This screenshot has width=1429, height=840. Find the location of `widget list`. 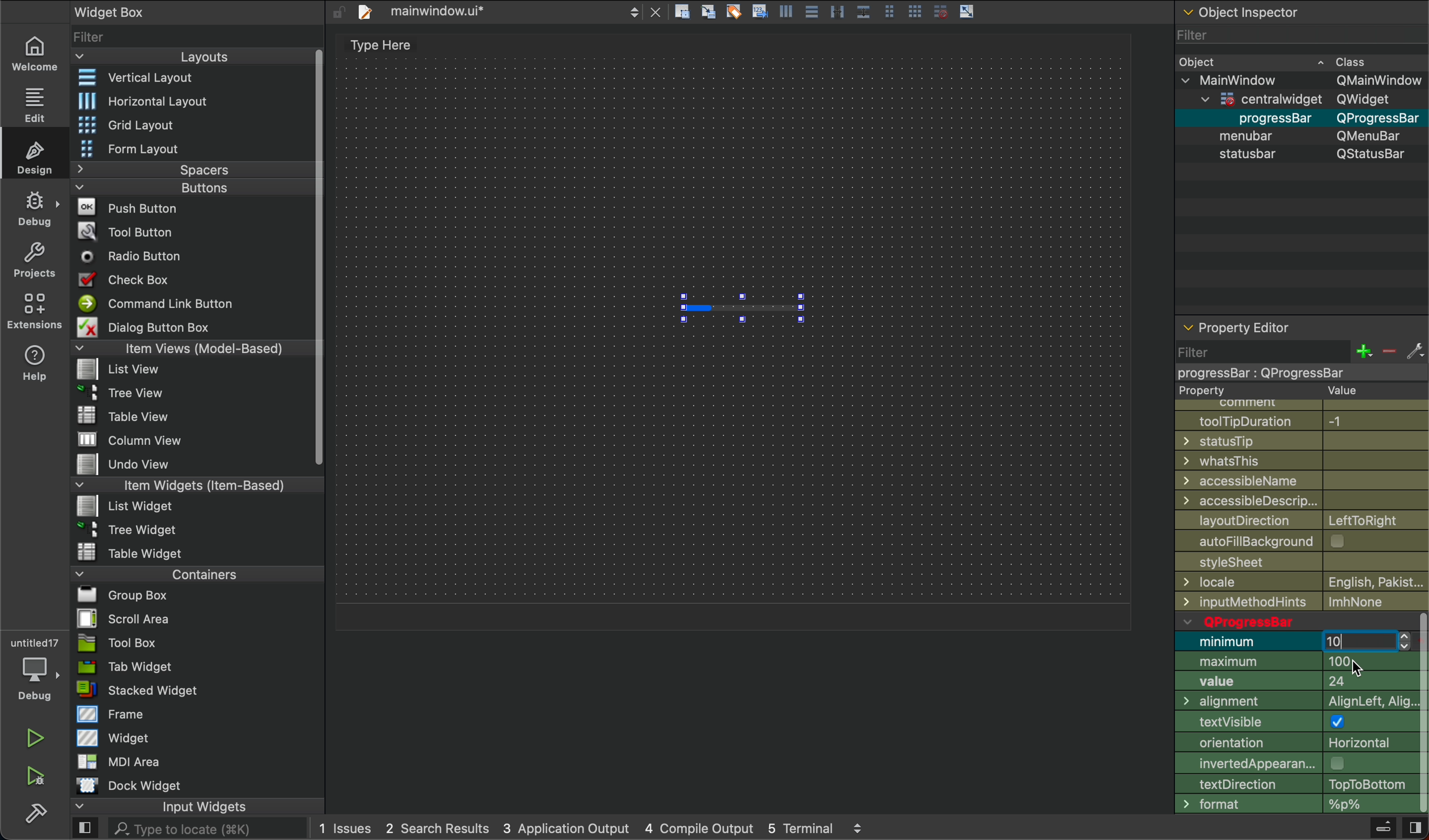

widget list is located at coordinates (191, 35).